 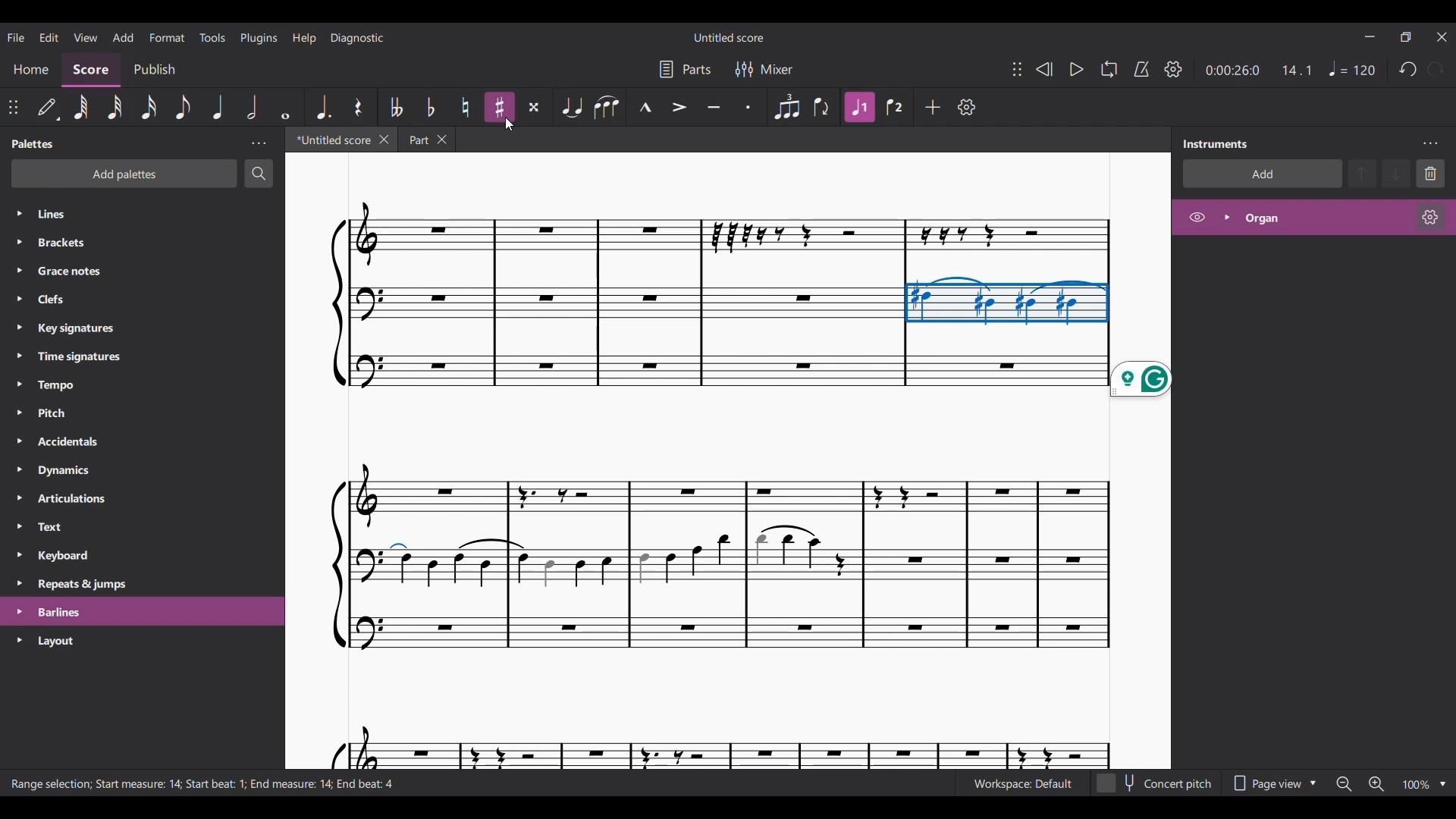 I want to click on Panel title, so click(x=1216, y=143).